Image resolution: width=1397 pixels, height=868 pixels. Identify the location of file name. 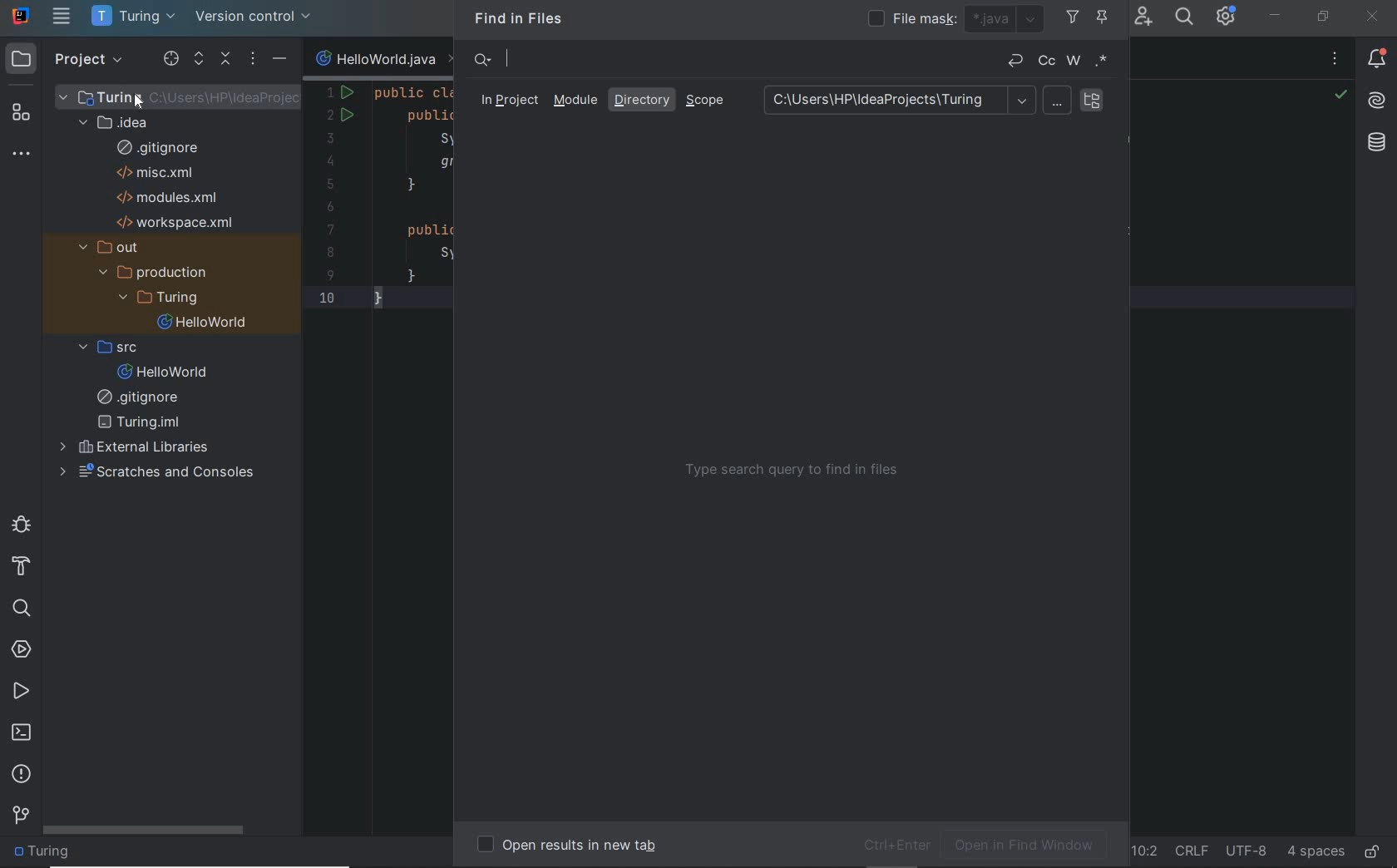
(205, 325).